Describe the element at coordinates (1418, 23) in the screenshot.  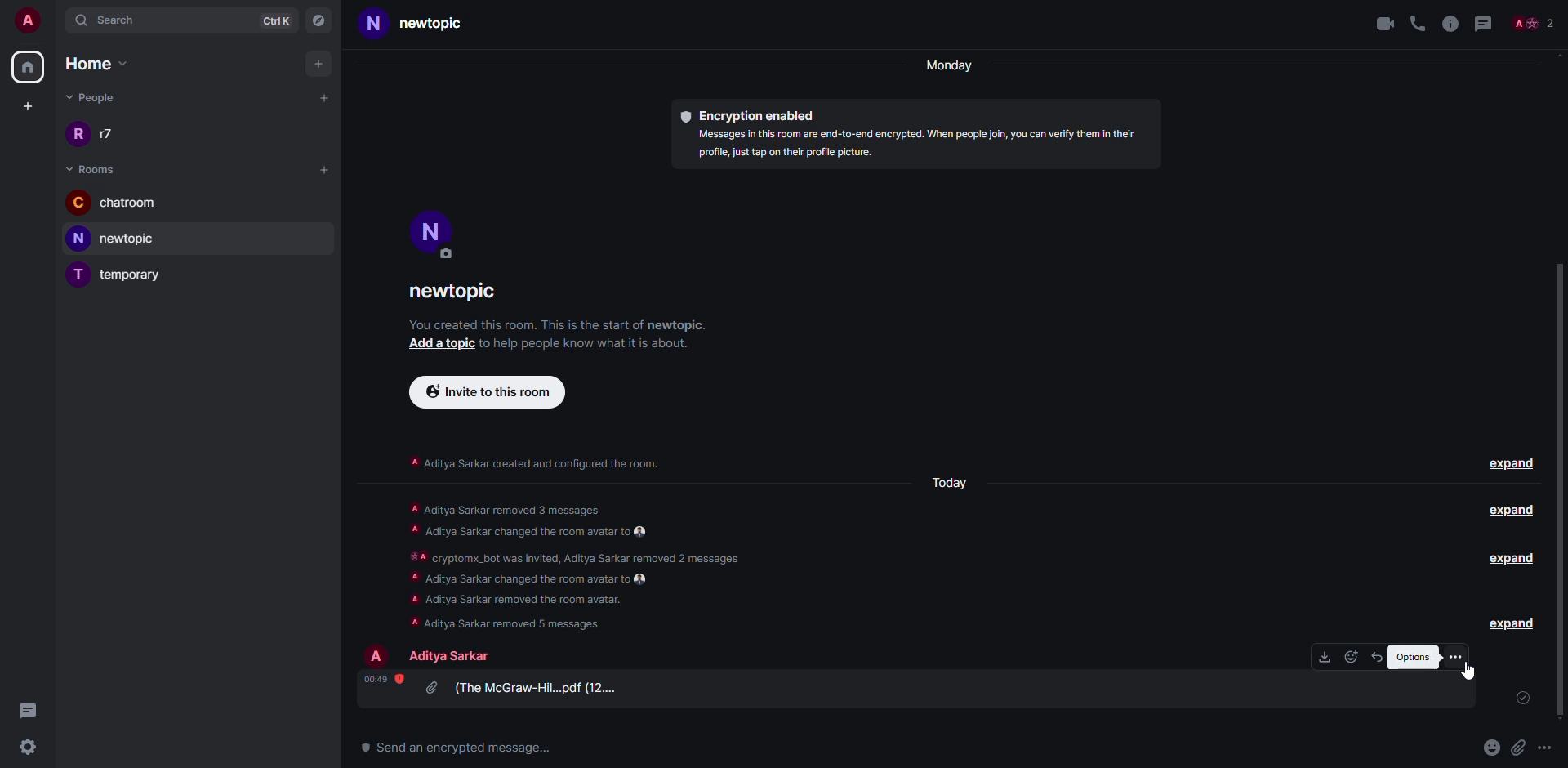
I see `voice call` at that location.